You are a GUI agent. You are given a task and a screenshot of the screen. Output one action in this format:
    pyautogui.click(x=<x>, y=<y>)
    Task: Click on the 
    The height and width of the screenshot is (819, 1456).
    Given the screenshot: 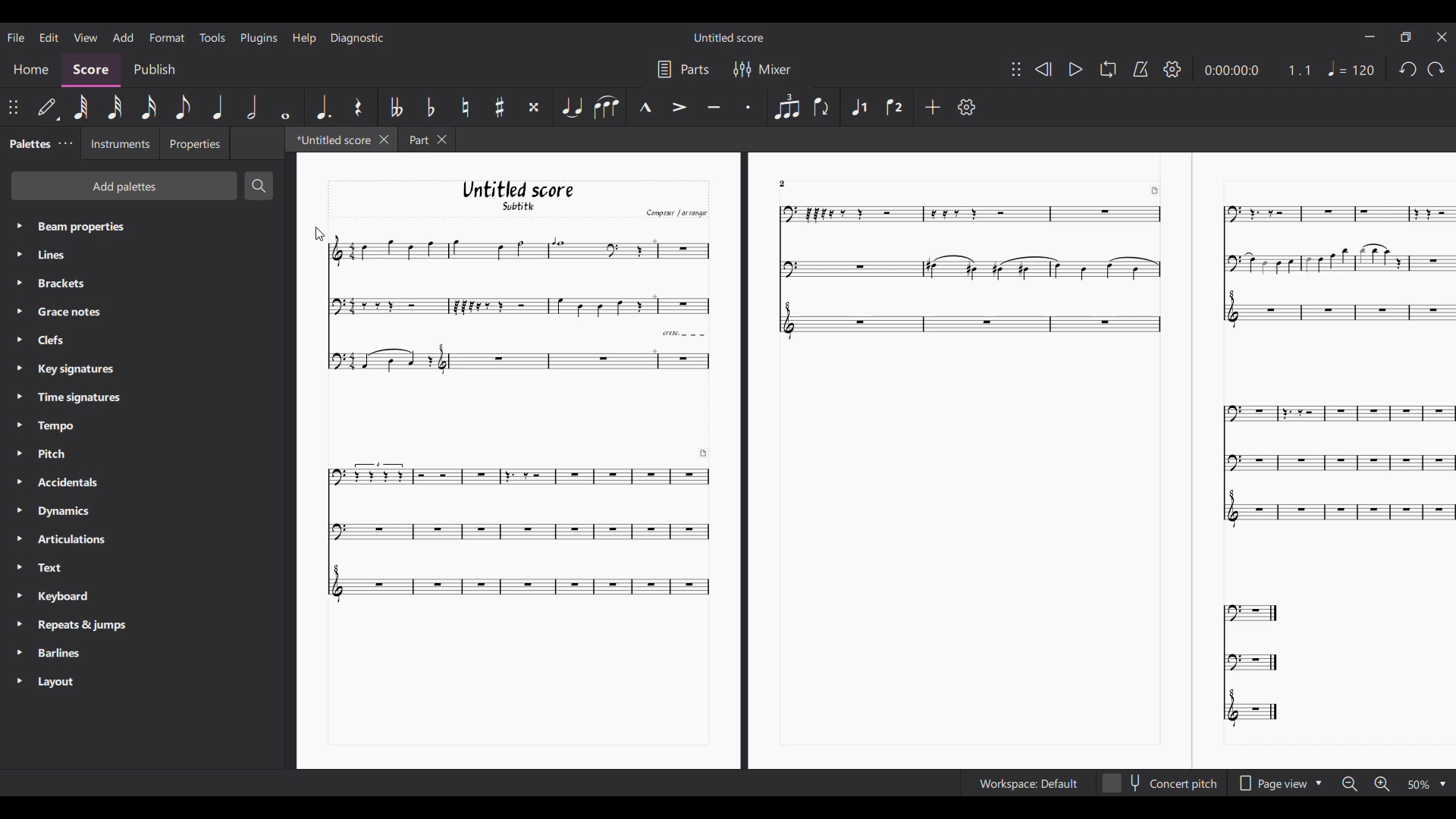 What is the action you would take?
    pyautogui.click(x=1247, y=707)
    